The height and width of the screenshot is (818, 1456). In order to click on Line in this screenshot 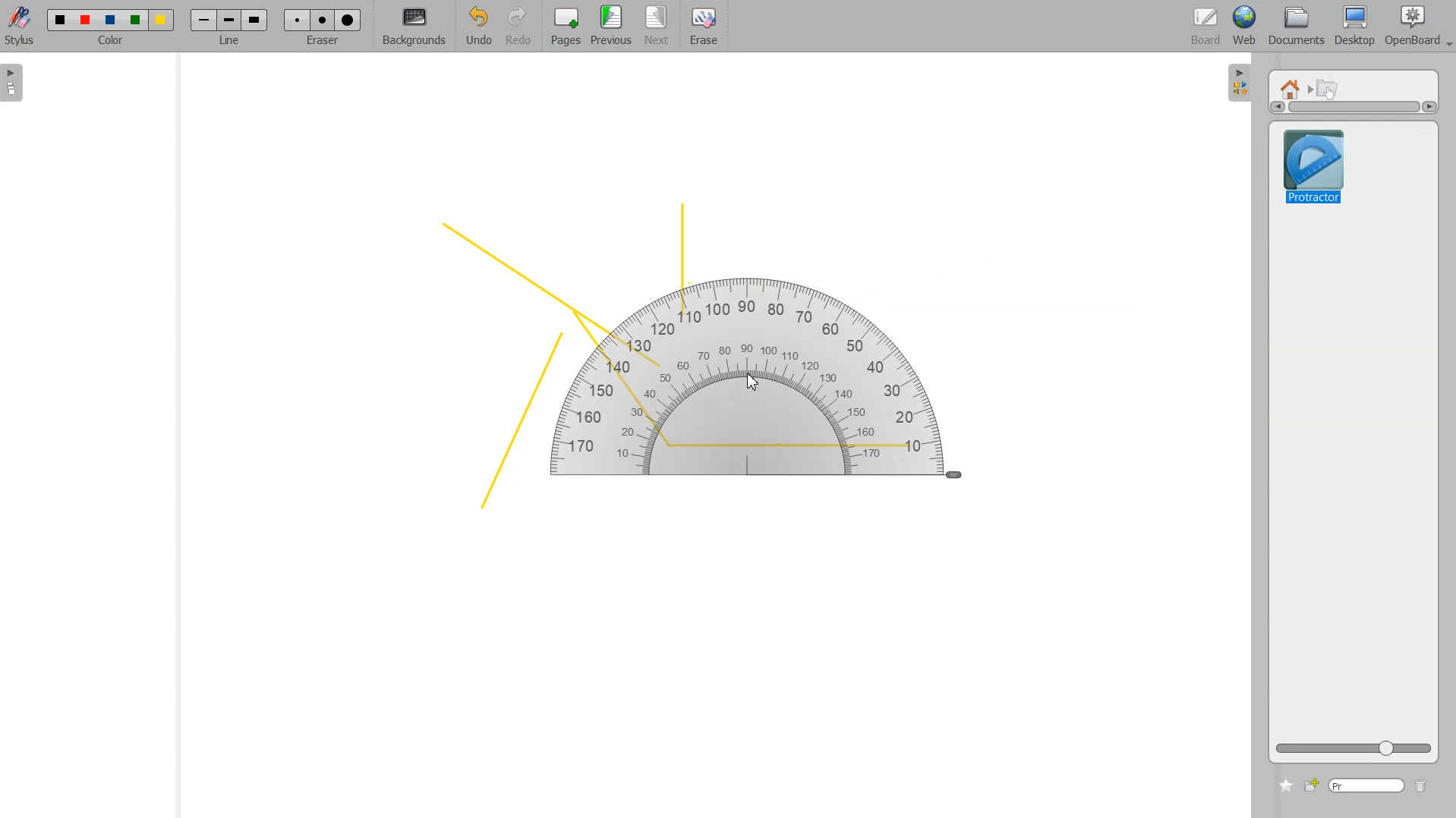, I will do `click(229, 20)`.